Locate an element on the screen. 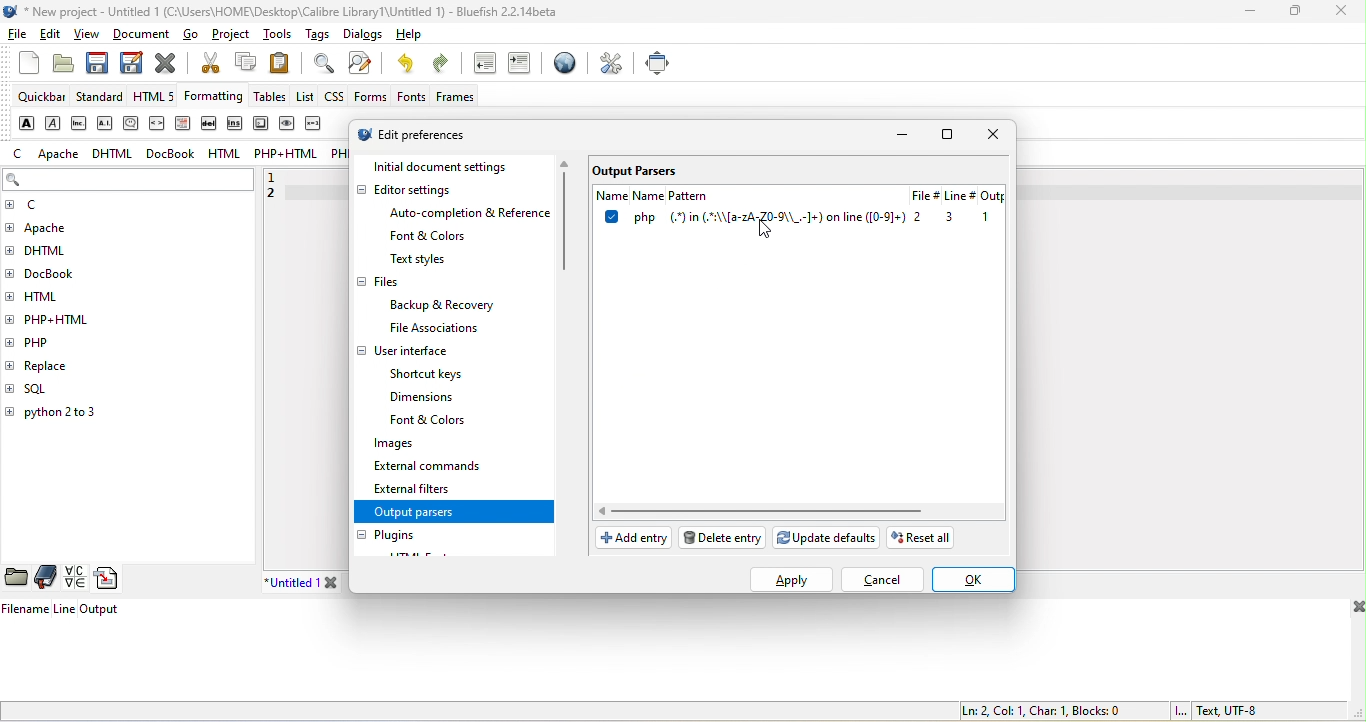  citation is located at coordinates (131, 124).